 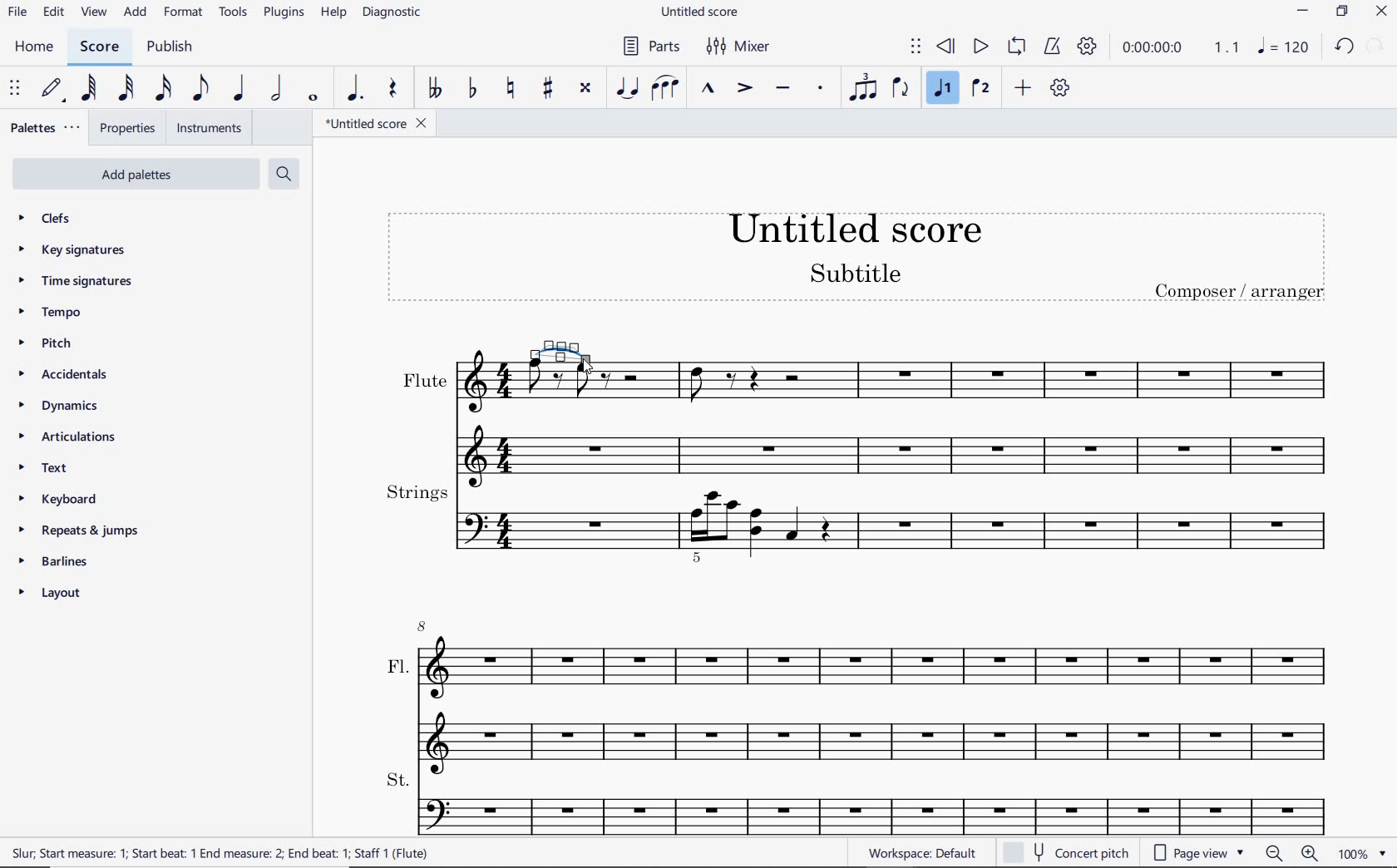 What do you see at coordinates (1022, 89) in the screenshot?
I see `ADD` at bounding box center [1022, 89].